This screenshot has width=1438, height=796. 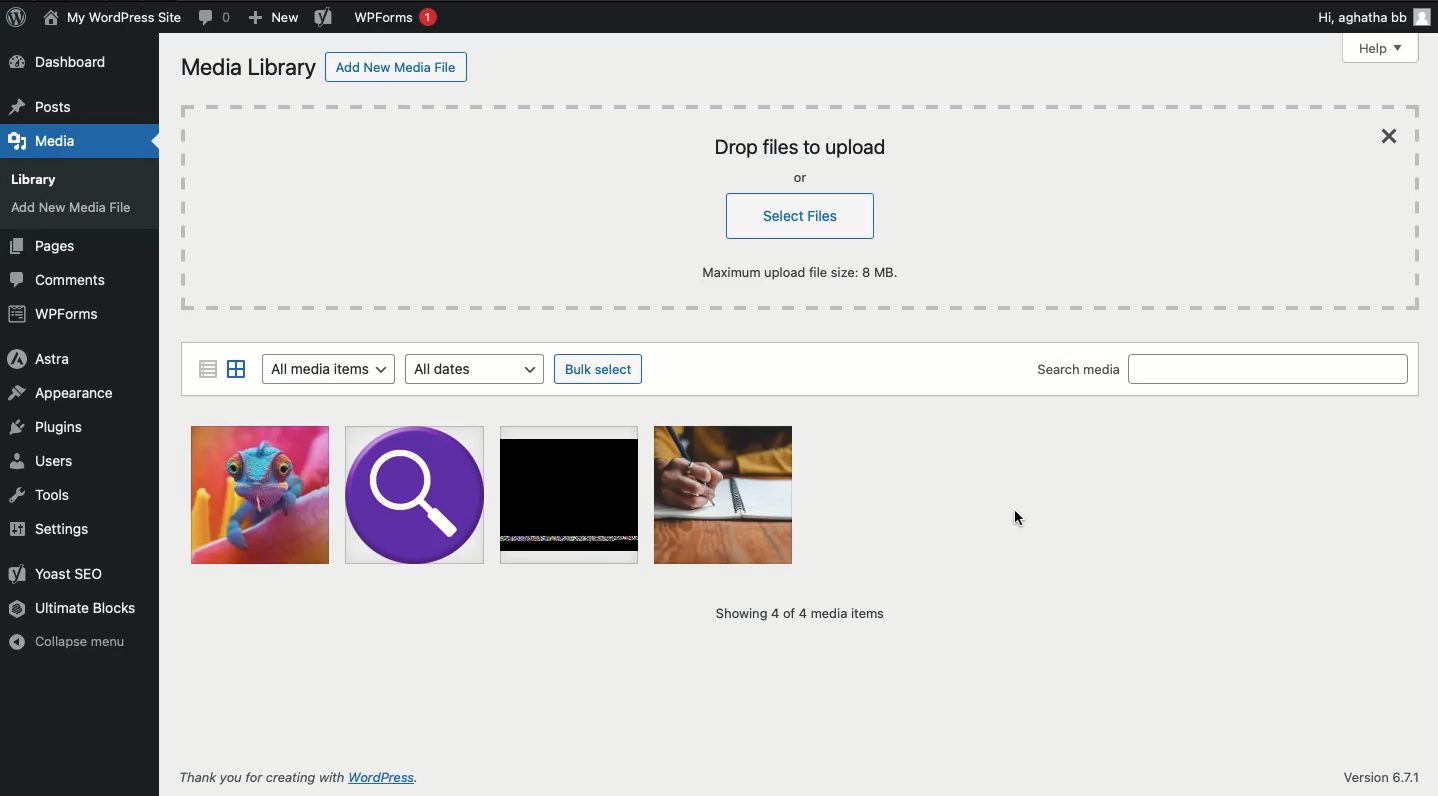 I want to click on WPForms, so click(x=397, y=17).